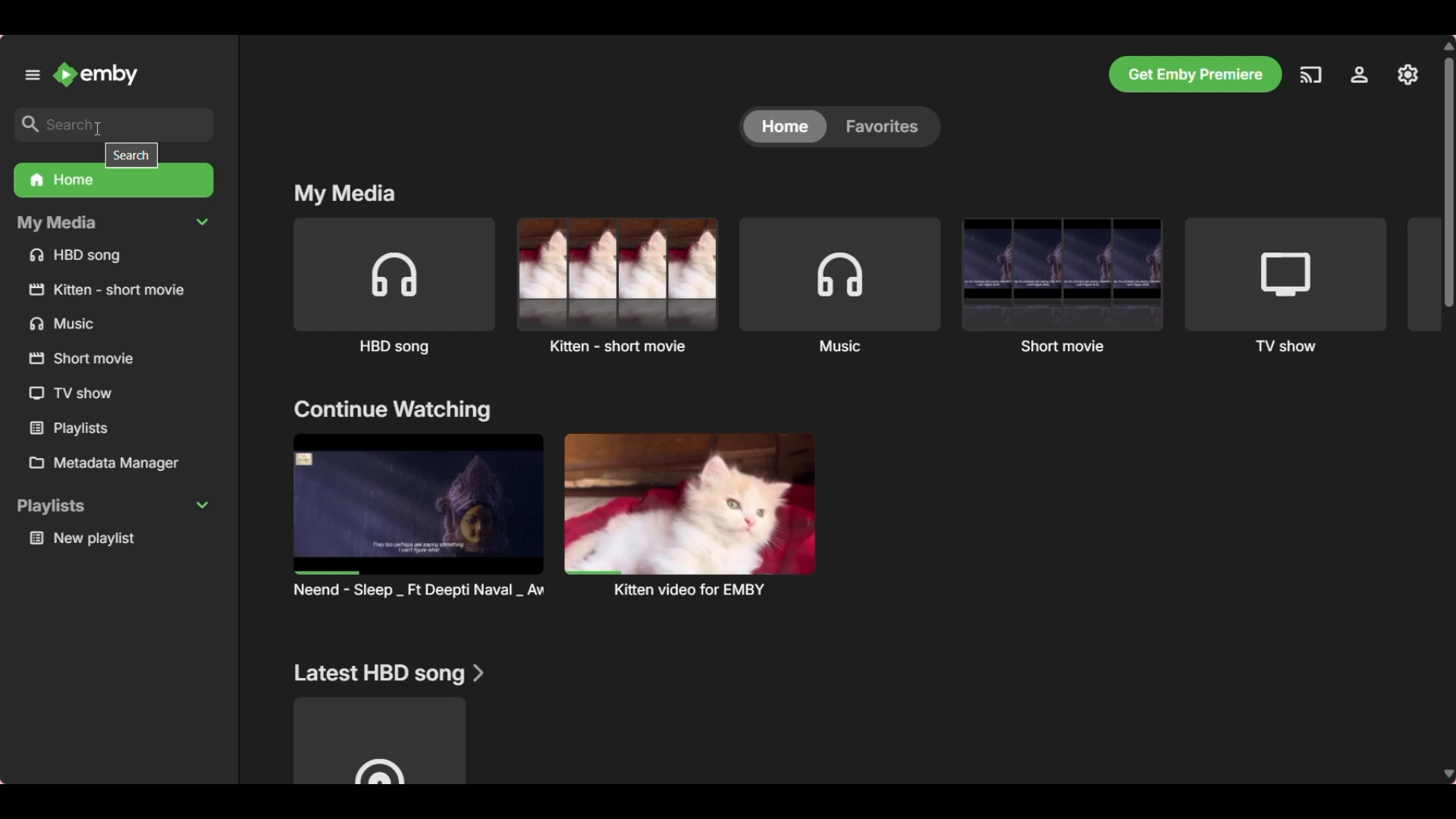  I want to click on Vertical slide bar, so click(1449, 182).